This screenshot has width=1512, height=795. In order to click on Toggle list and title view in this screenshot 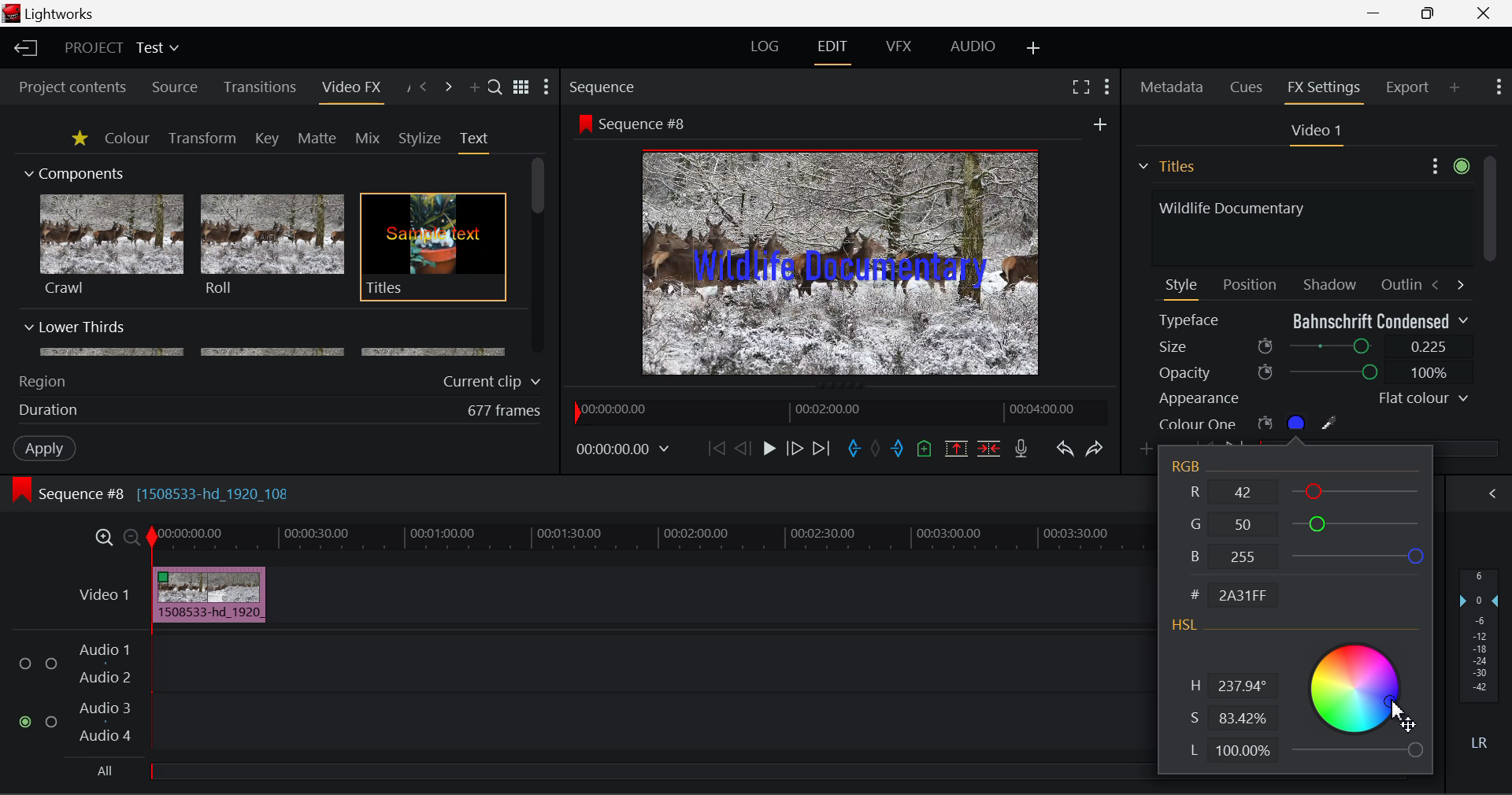, I will do `click(523, 87)`.